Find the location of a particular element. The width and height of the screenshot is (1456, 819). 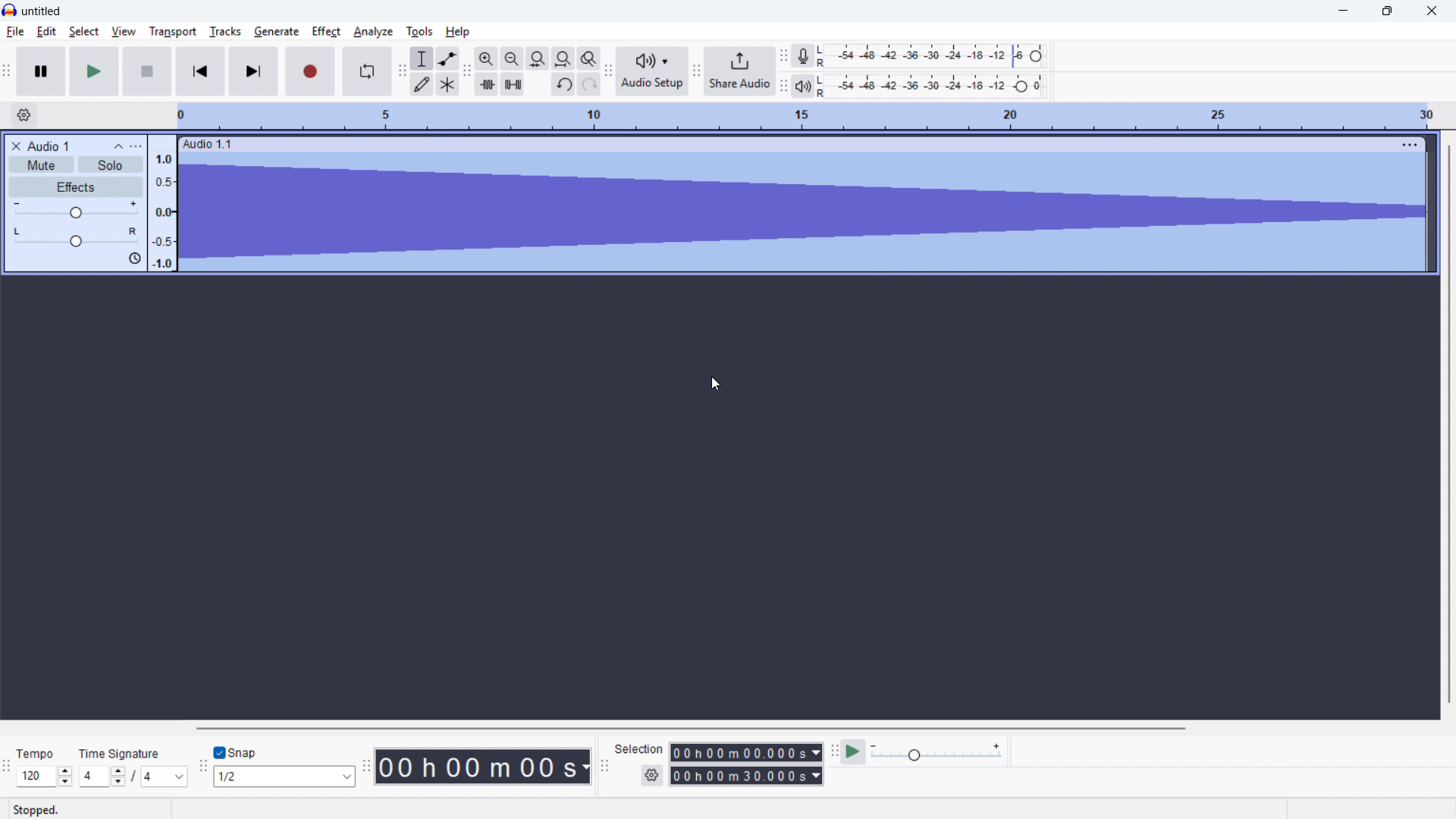

cursor is located at coordinates (716, 384).